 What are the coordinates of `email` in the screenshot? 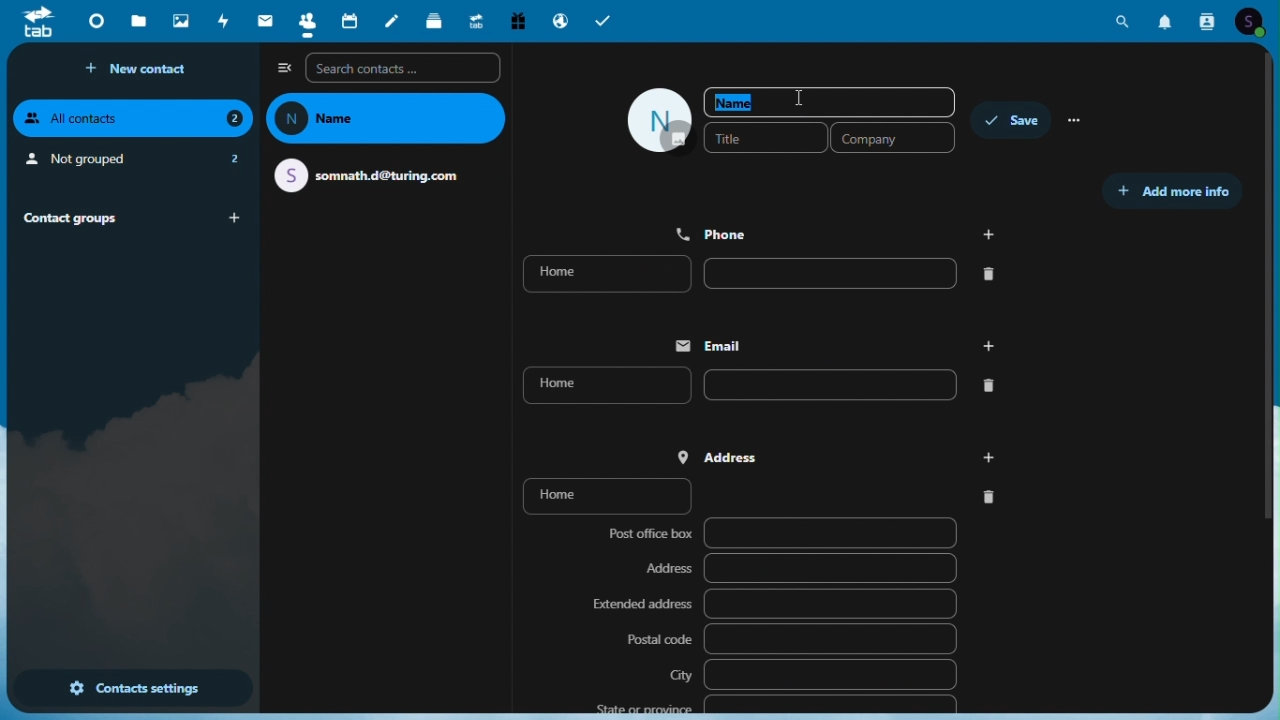 It's located at (375, 174).